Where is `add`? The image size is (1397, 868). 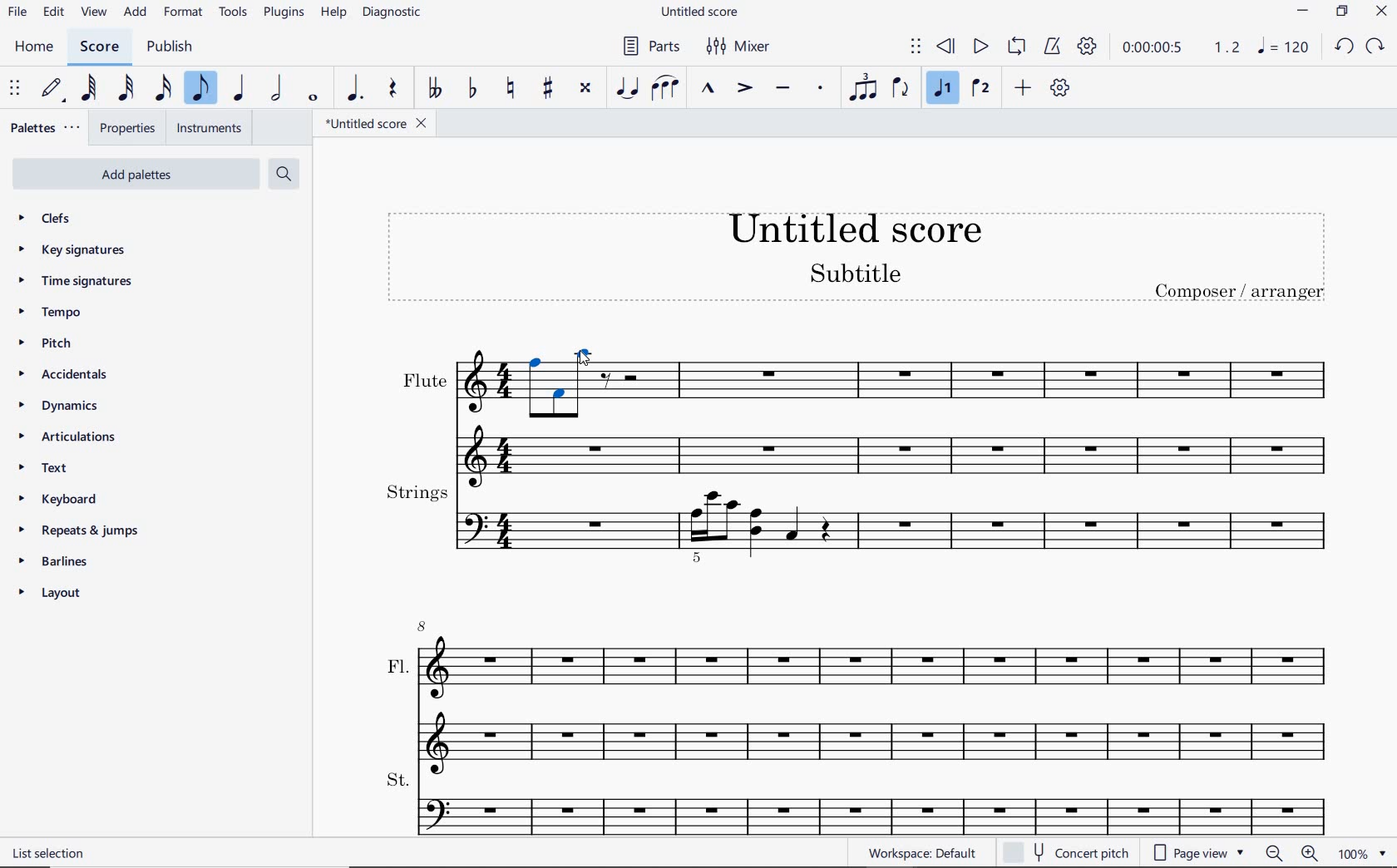
add is located at coordinates (136, 13).